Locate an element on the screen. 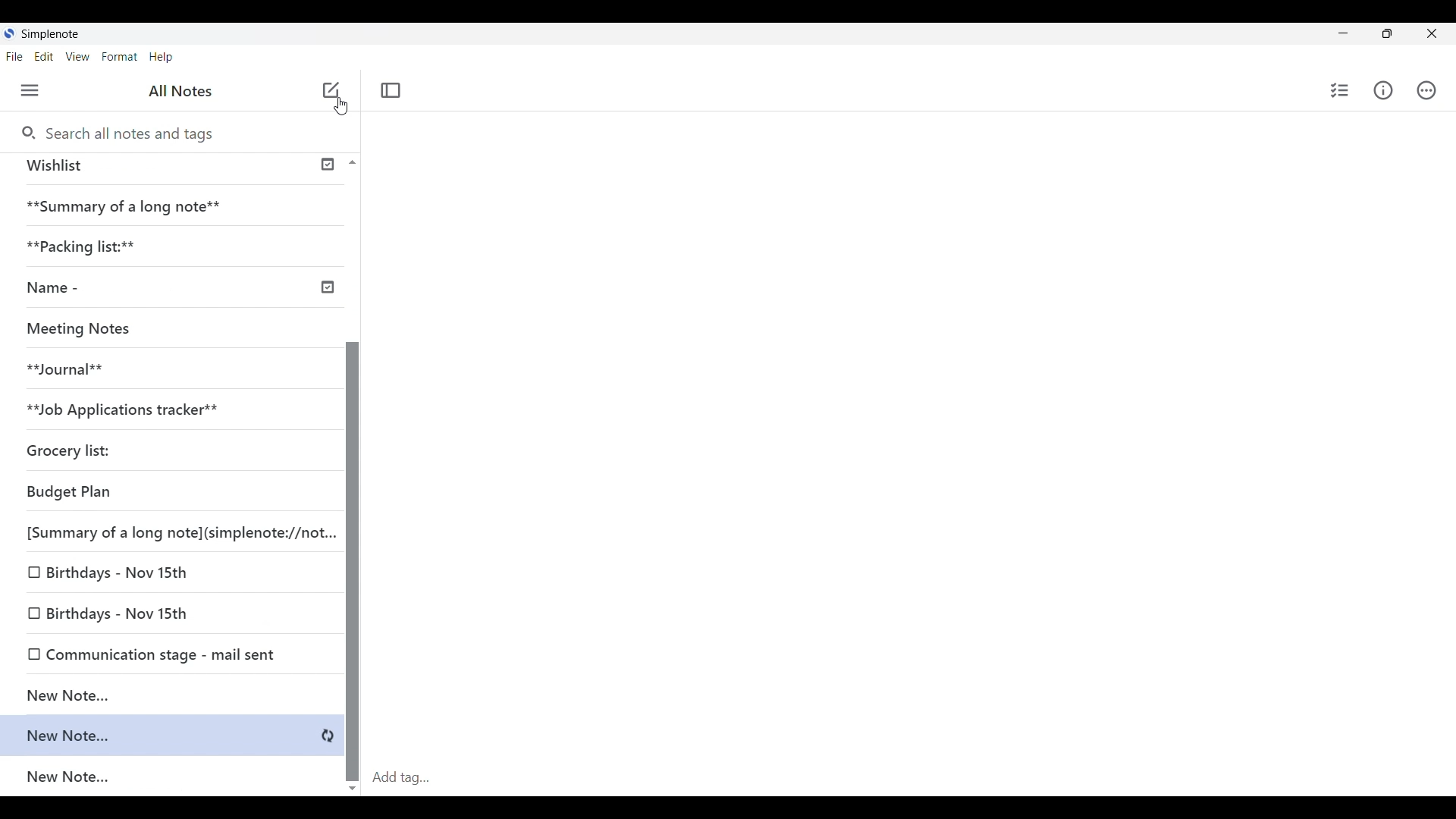 Image resolution: width=1456 pixels, height=819 pixels. Add tag is located at coordinates (910, 777).